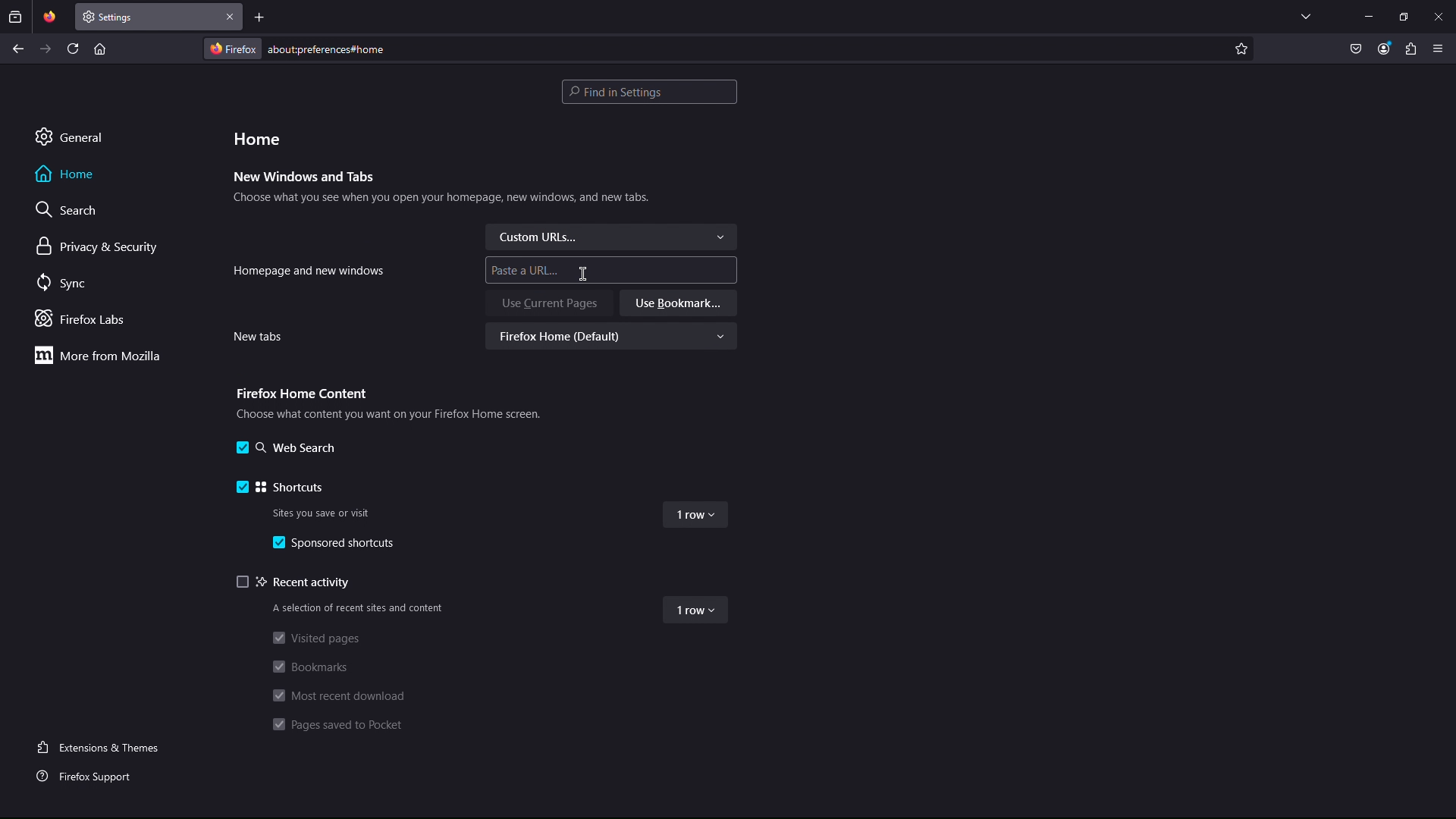 Image resolution: width=1456 pixels, height=819 pixels. Describe the element at coordinates (312, 667) in the screenshot. I see `Bookmarks` at that location.